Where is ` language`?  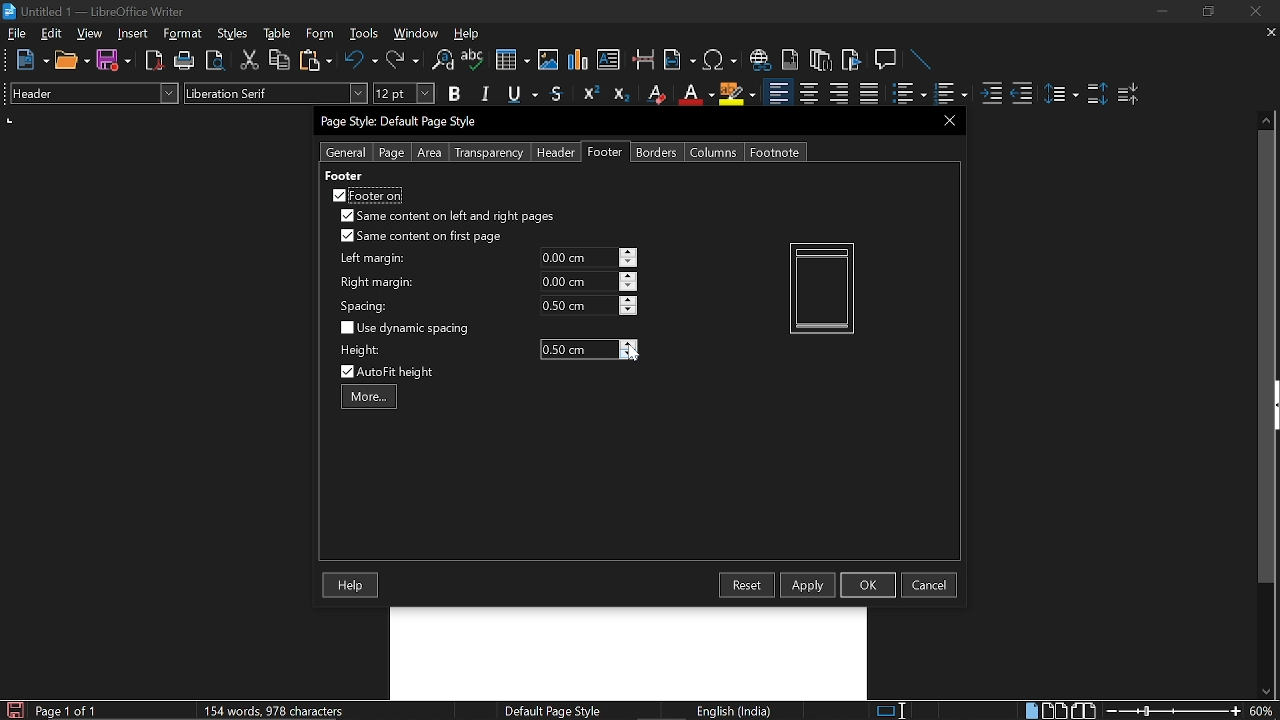  language is located at coordinates (736, 711).